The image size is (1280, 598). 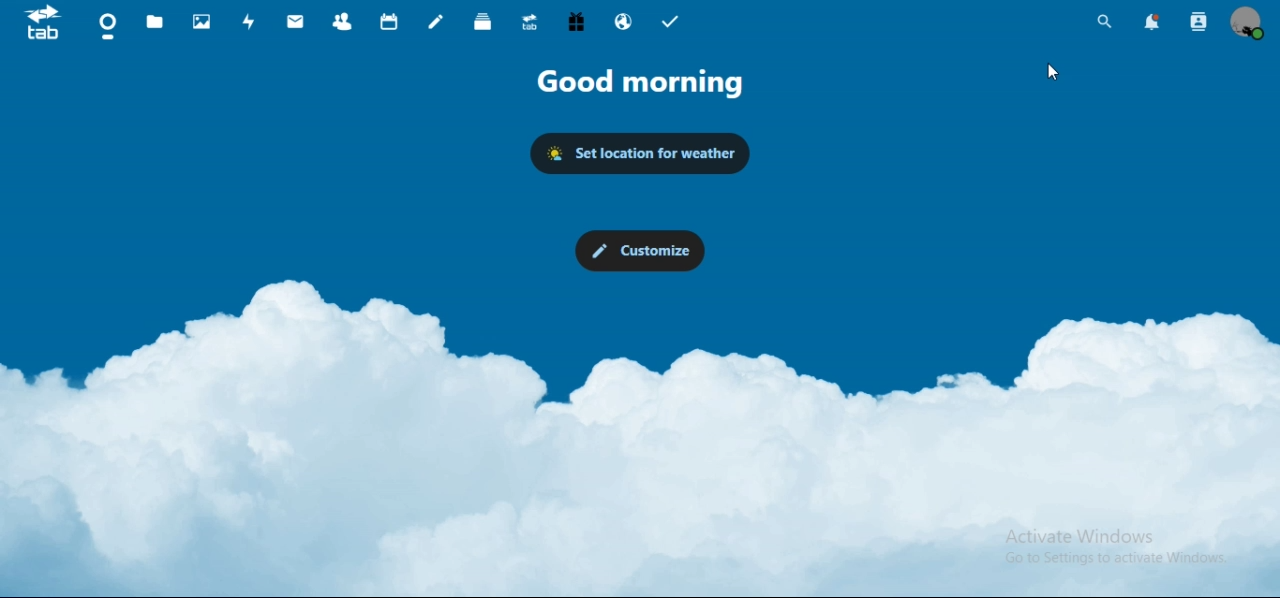 What do you see at coordinates (1198, 21) in the screenshot?
I see `search contacts` at bounding box center [1198, 21].